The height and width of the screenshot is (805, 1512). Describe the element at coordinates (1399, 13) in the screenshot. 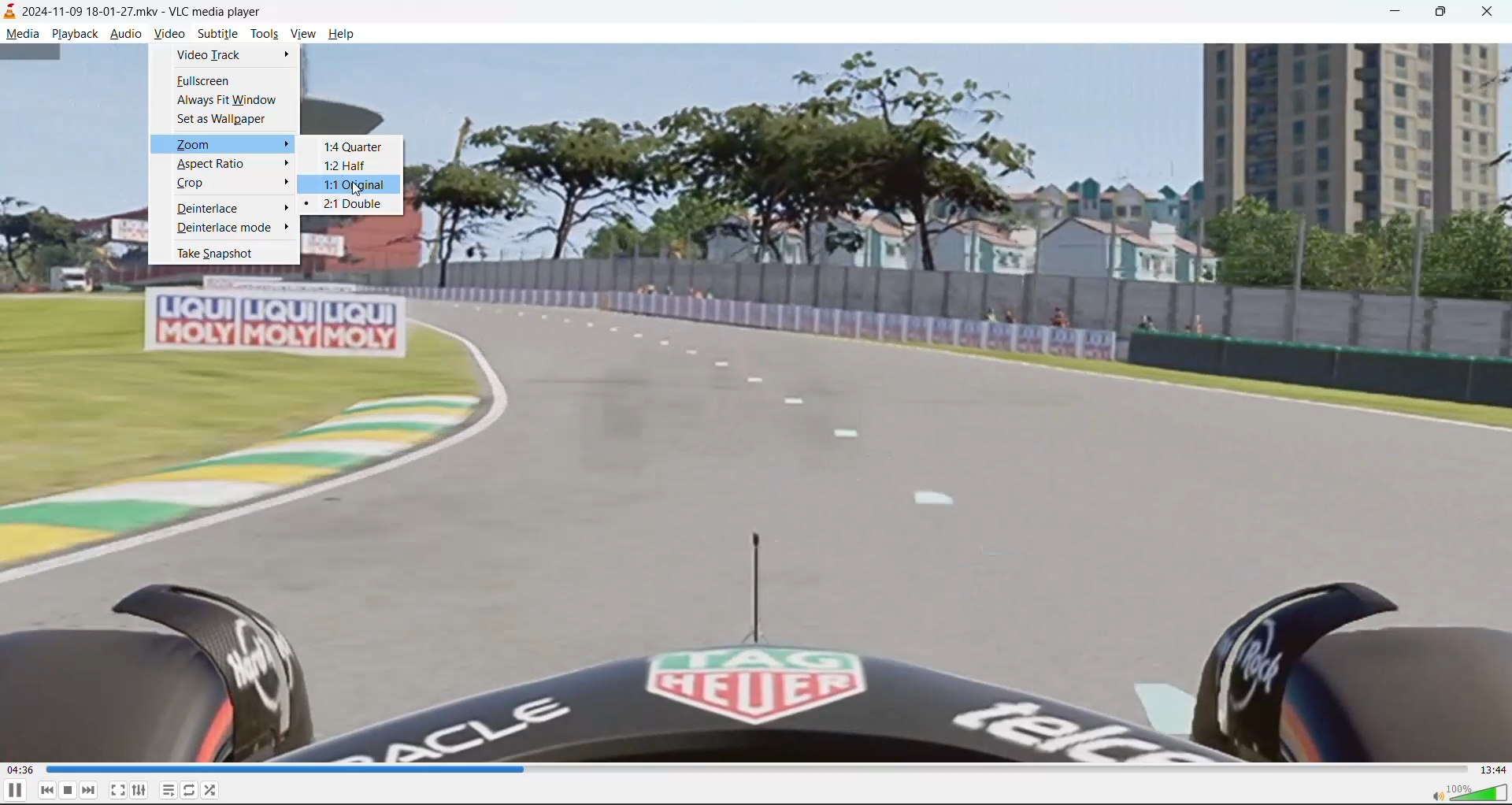

I see `minimize` at that location.